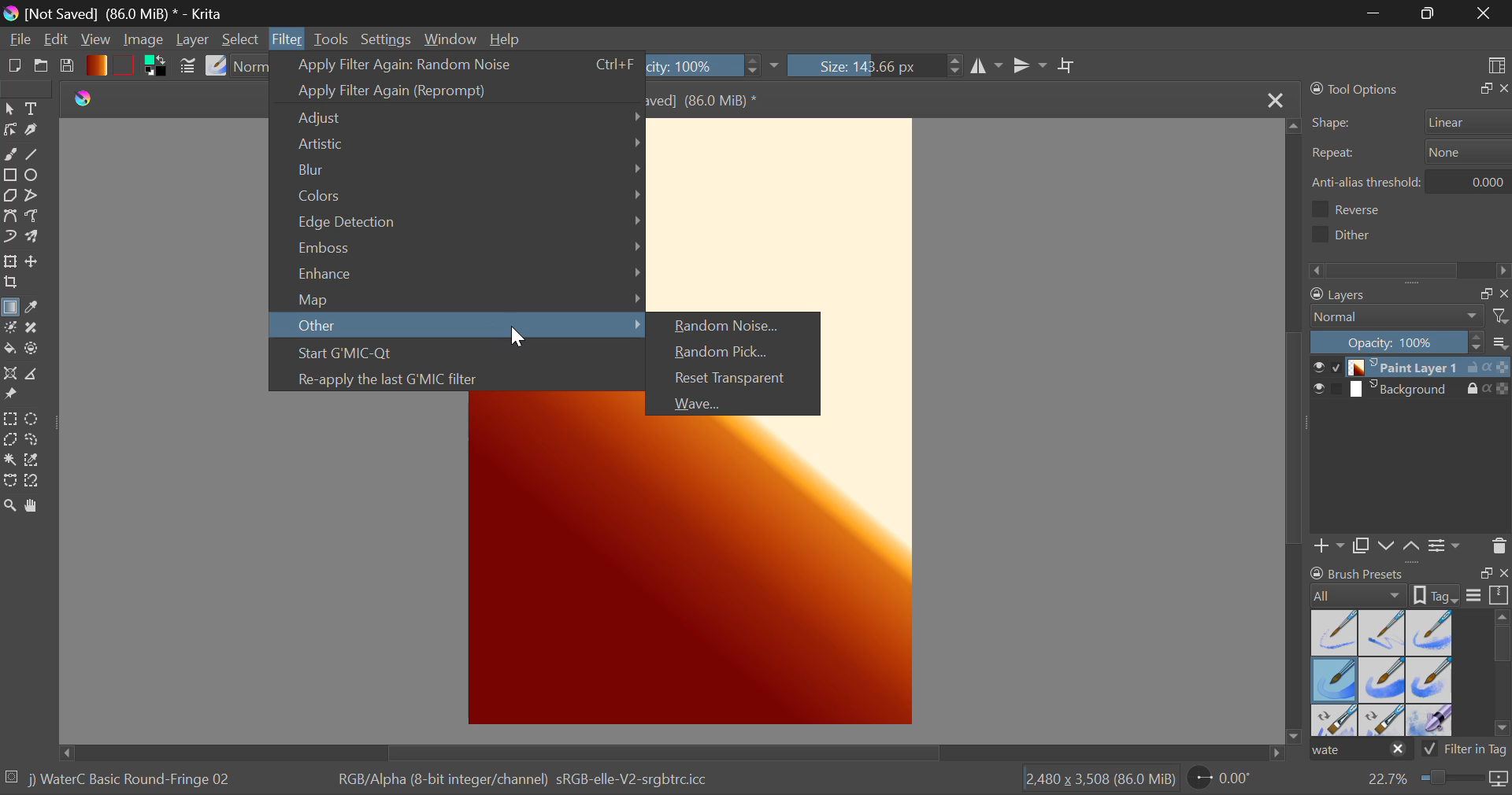 The width and height of the screenshot is (1512, 795). Describe the element at coordinates (1407, 368) in the screenshot. I see `paint layer 1` at that location.